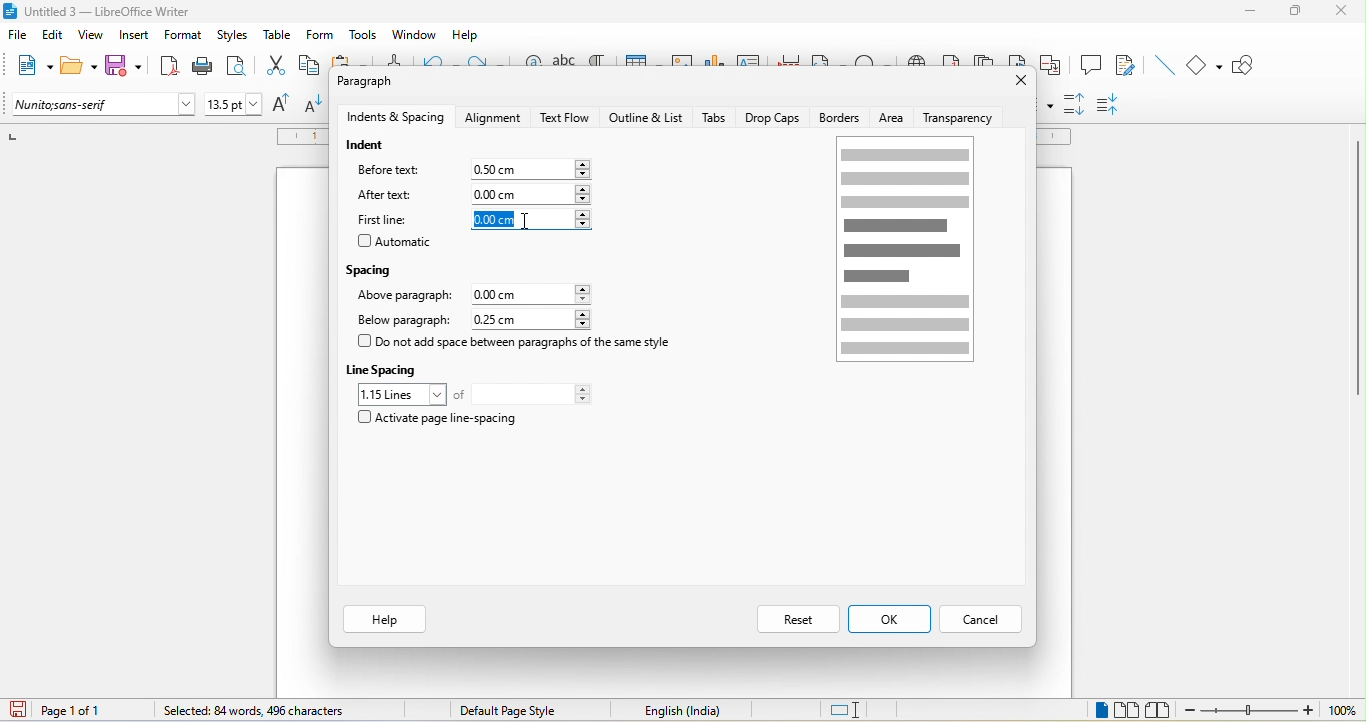 The height and width of the screenshot is (722, 1366). What do you see at coordinates (1206, 66) in the screenshot?
I see `basic shapes` at bounding box center [1206, 66].